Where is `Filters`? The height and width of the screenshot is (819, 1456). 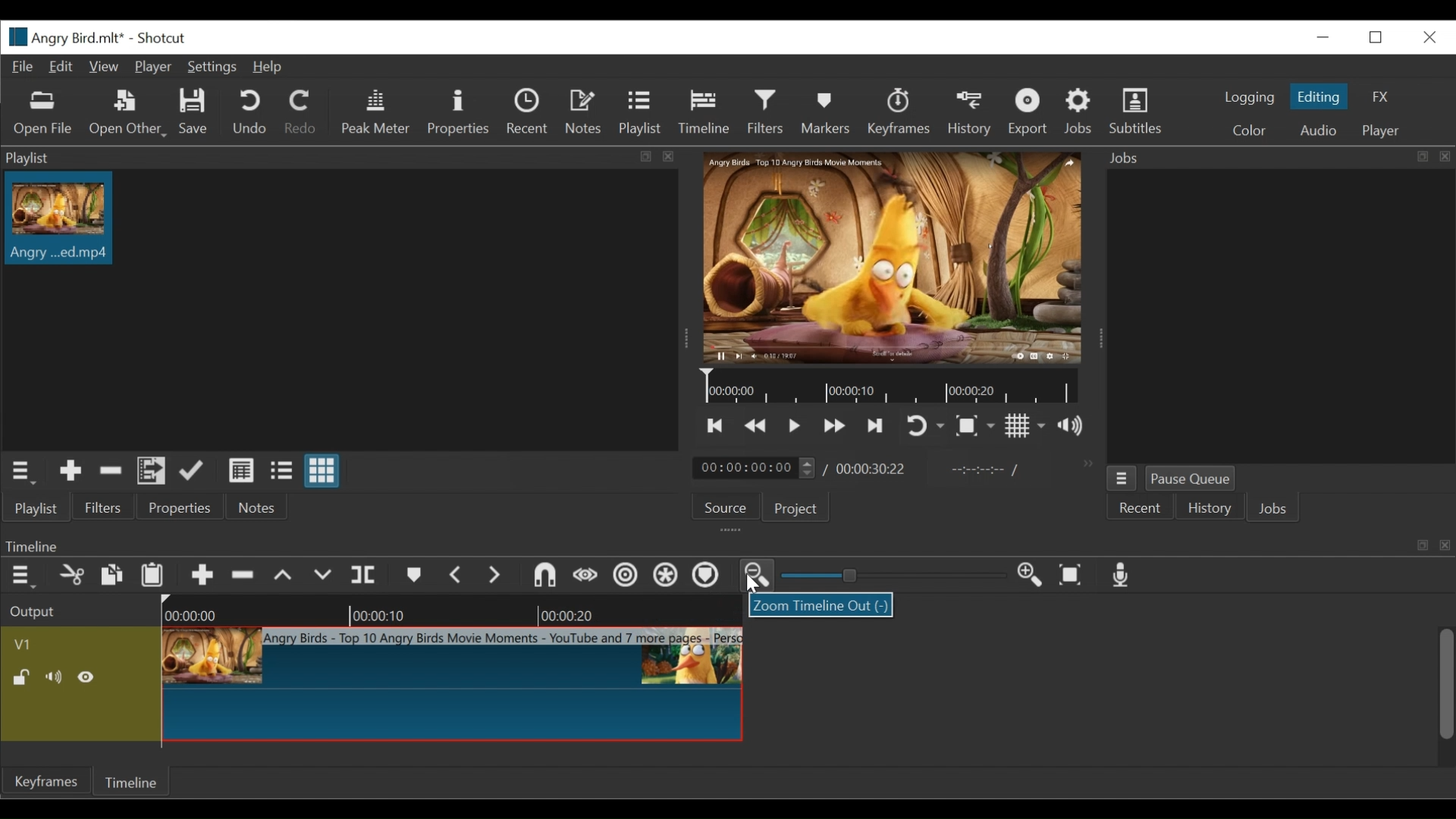
Filters is located at coordinates (104, 507).